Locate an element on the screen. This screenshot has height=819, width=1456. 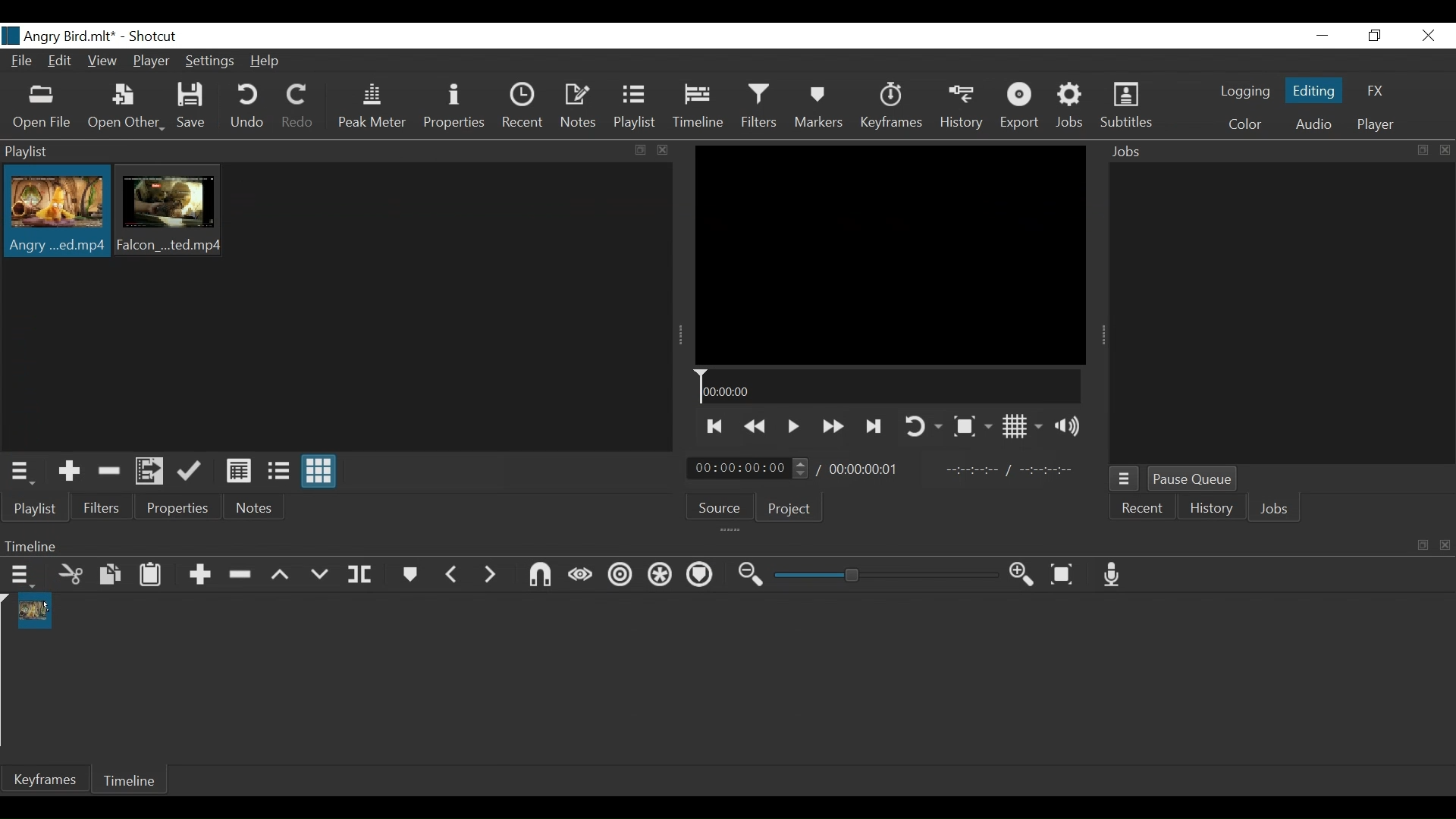
Redo is located at coordinates (297, 108).